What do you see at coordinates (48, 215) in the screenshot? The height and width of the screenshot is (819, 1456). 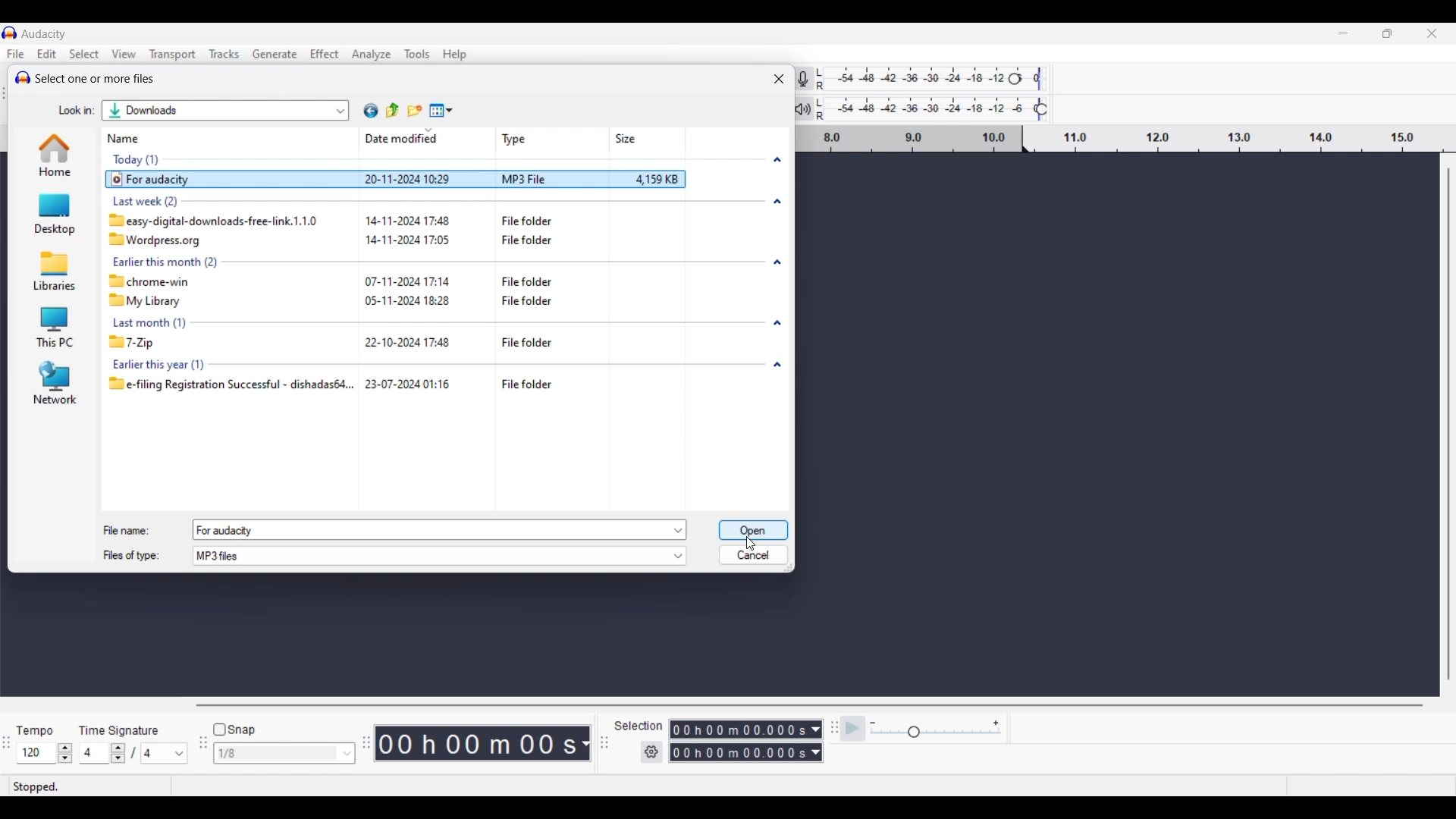 I see `Desktop` at bounding box center [48, 215].